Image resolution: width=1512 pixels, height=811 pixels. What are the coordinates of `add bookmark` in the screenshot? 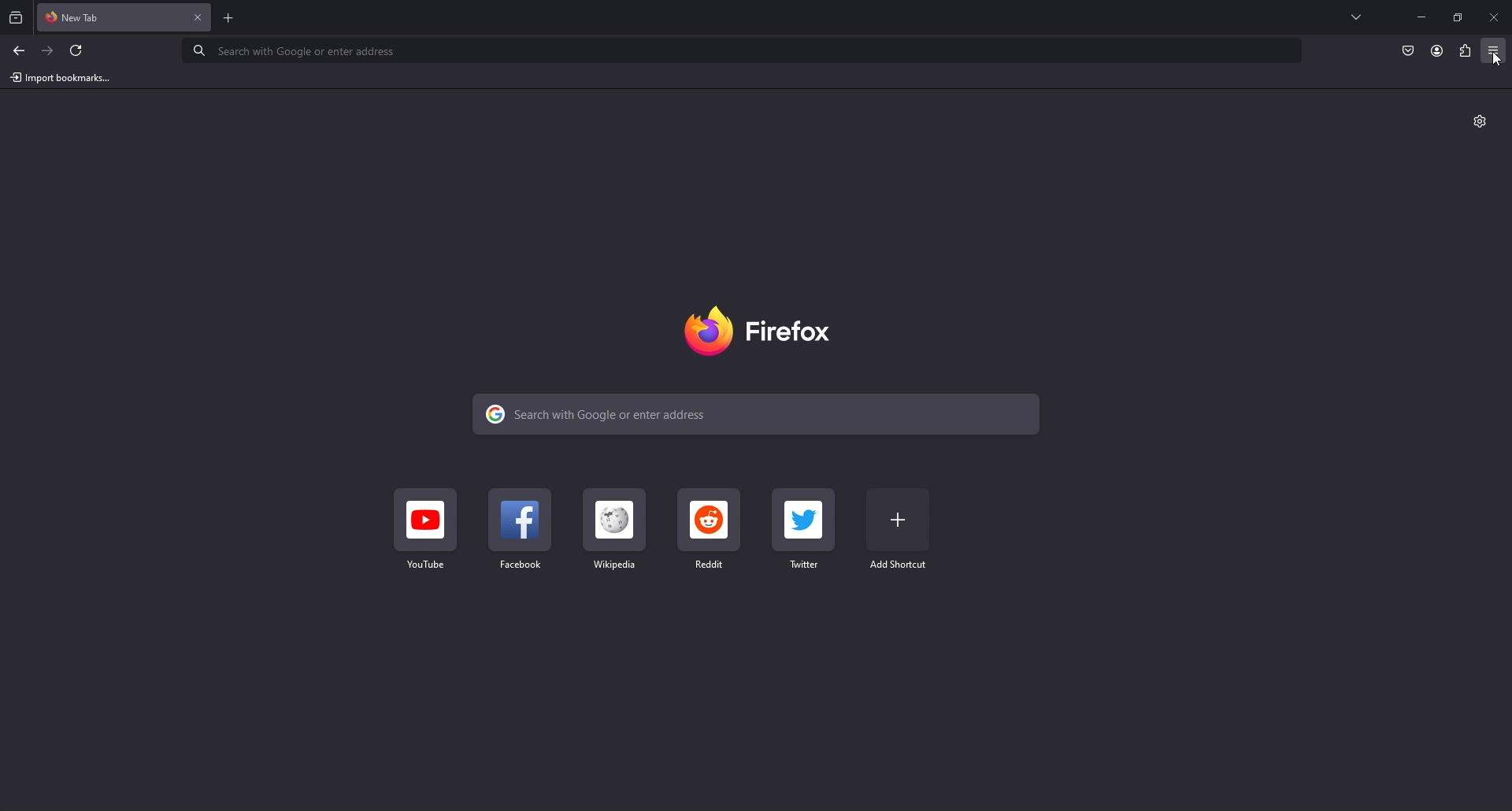 It's located at (899, 529).